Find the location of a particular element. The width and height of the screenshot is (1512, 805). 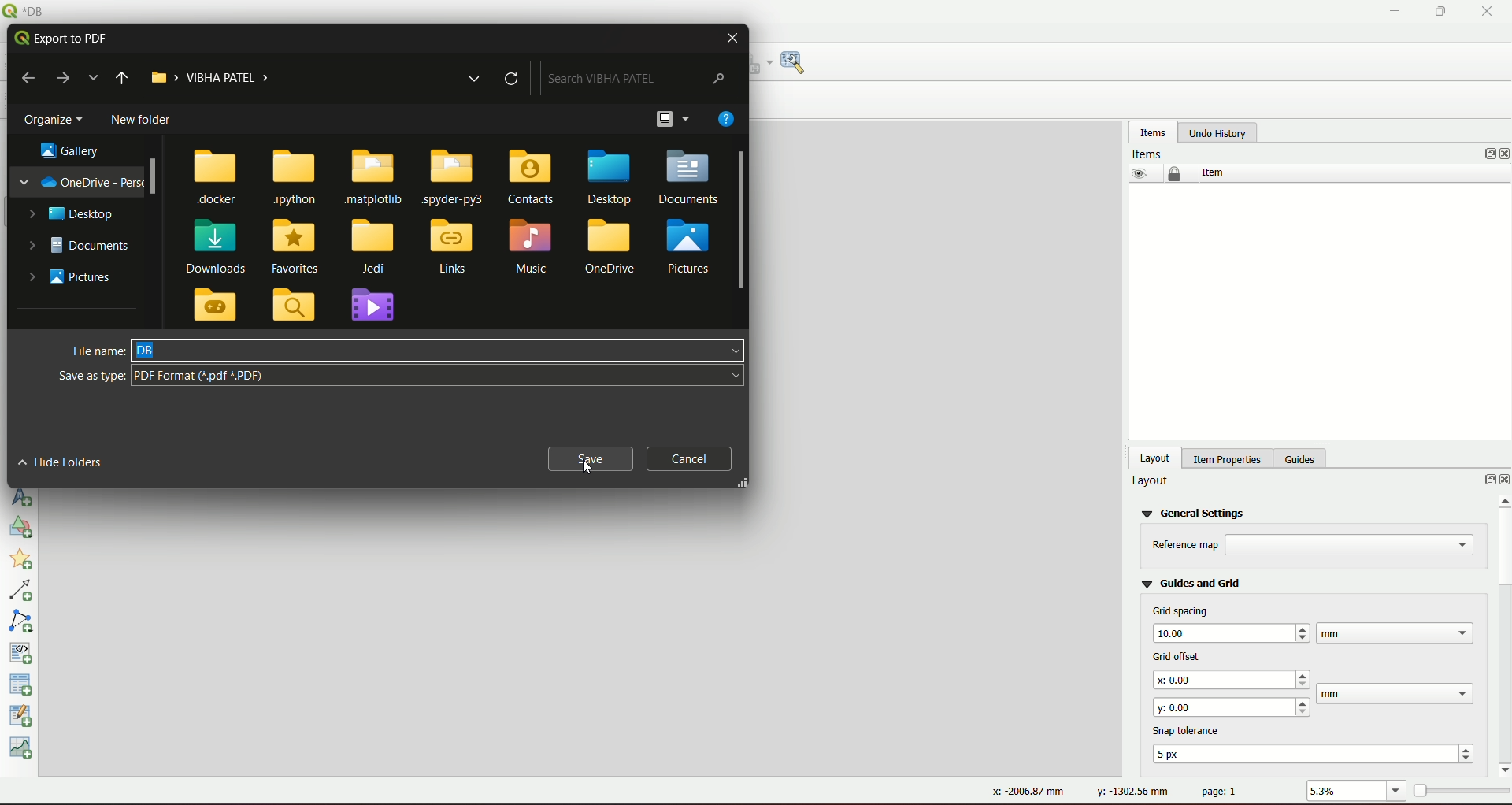

text box is located at coordinates (1317, 753).